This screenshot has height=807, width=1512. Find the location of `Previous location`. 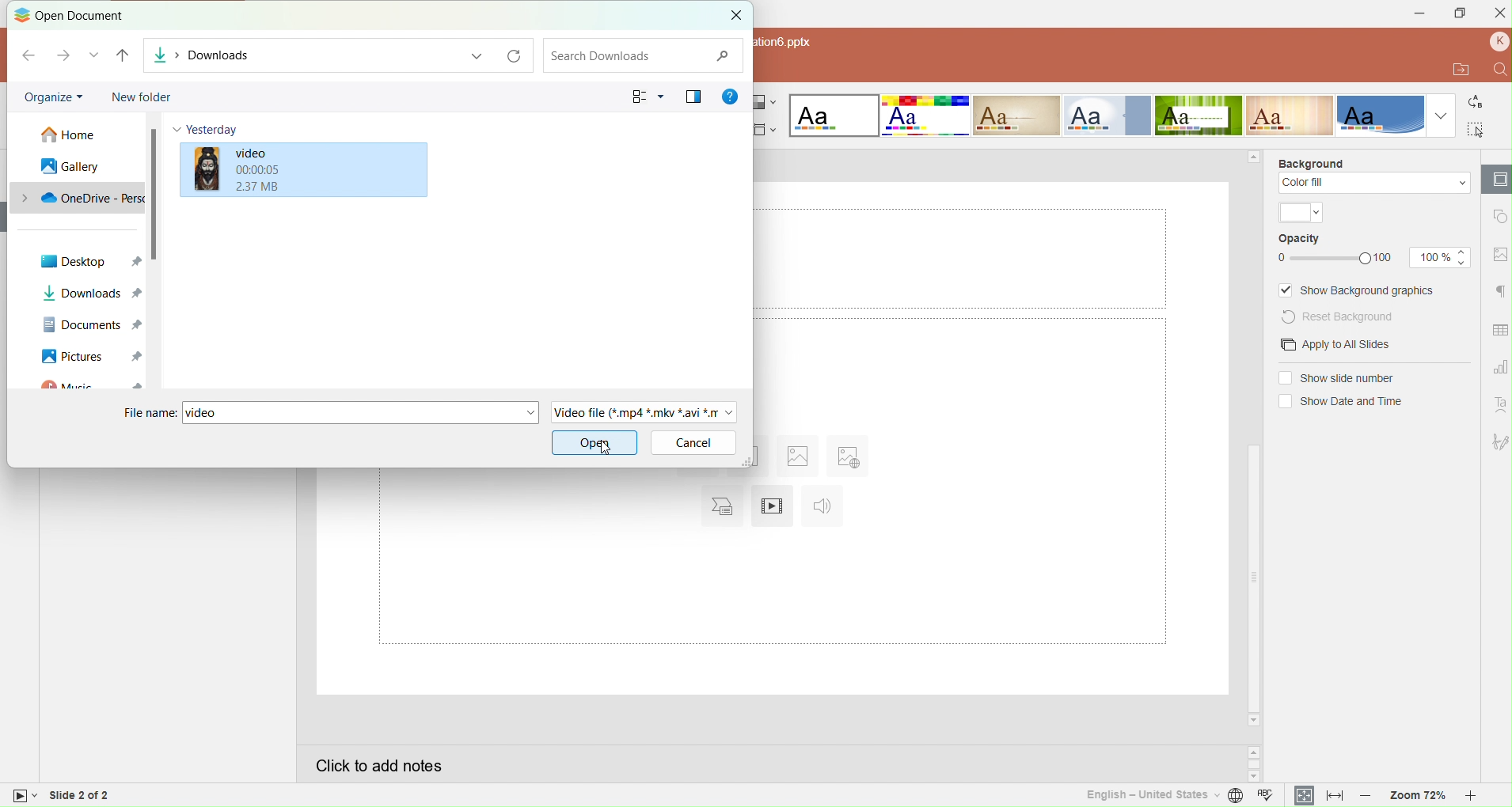

Previous location is located at coordinates (470, 55).